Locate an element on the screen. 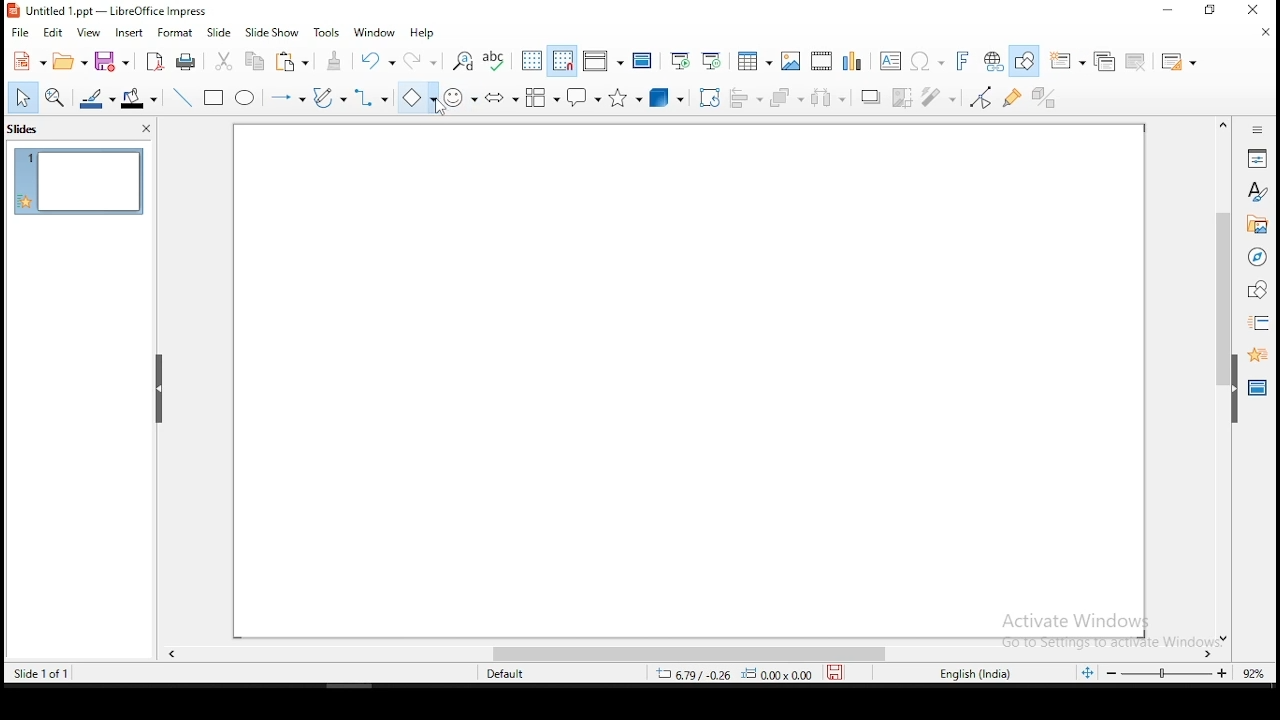  fit to slide is located at coordinates (1089, 676).